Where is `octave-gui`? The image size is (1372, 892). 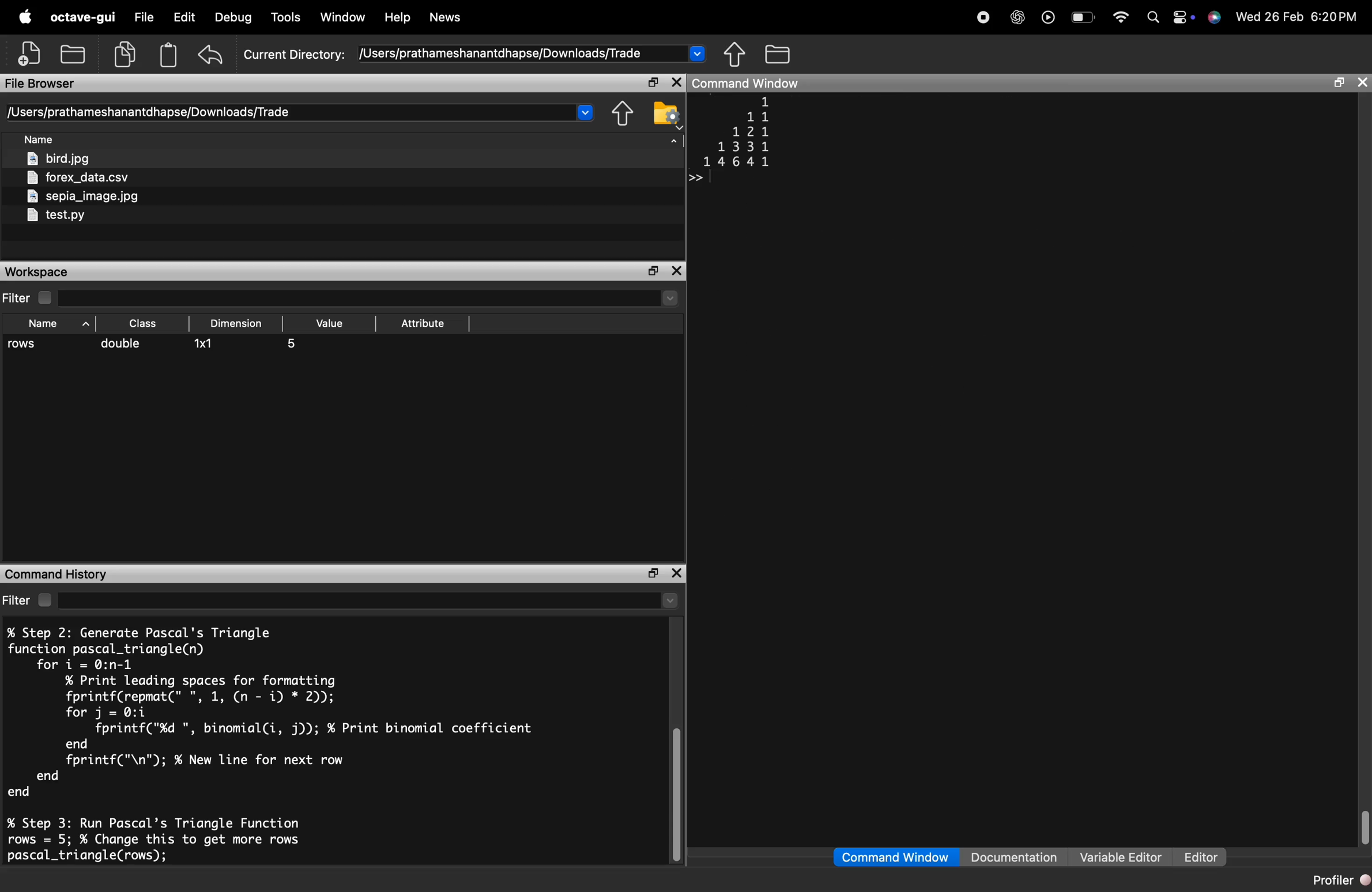 octave-gui is located at coordinates (83, 17).